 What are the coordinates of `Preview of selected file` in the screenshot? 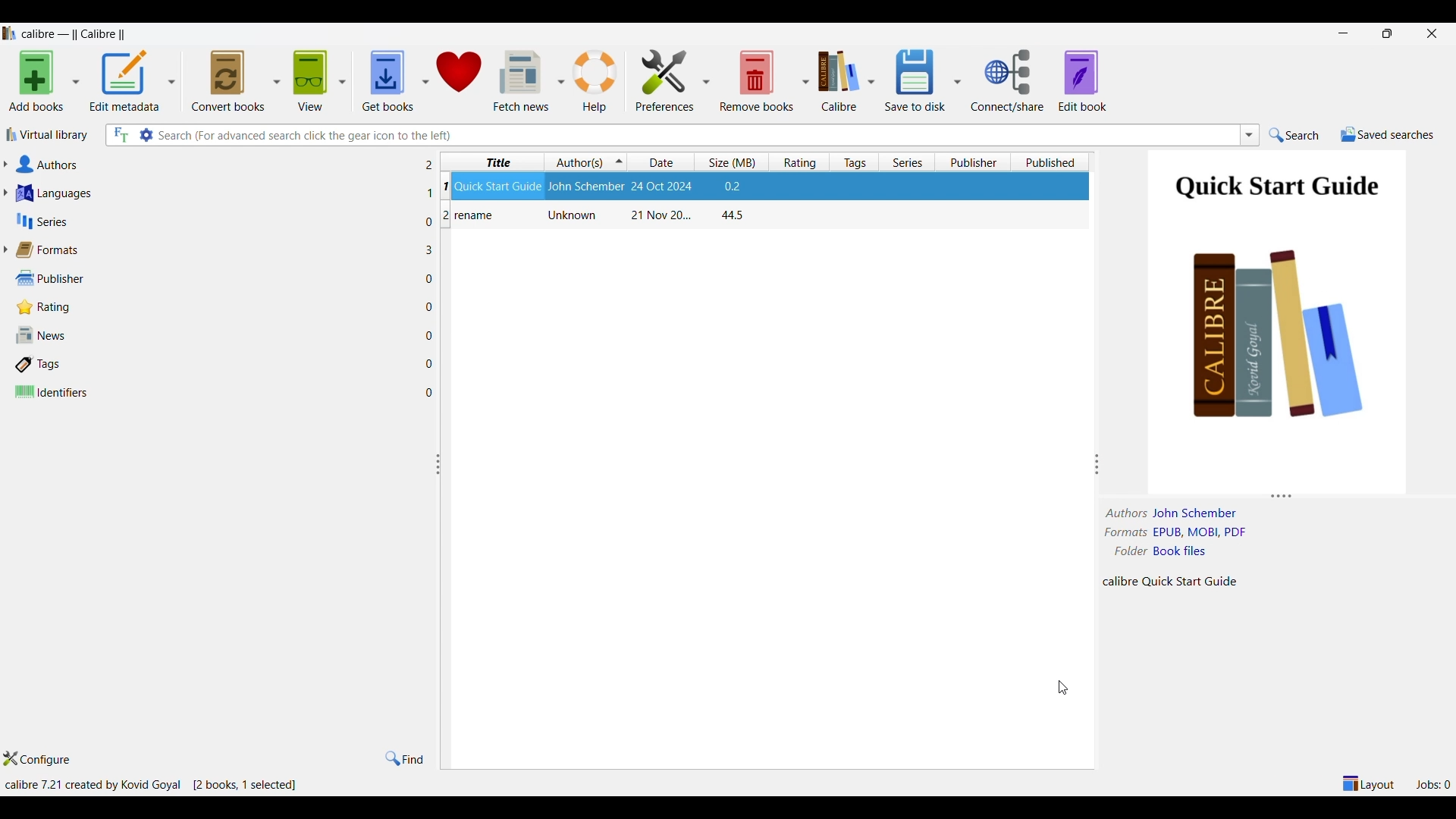 It's located at (1276, 314).